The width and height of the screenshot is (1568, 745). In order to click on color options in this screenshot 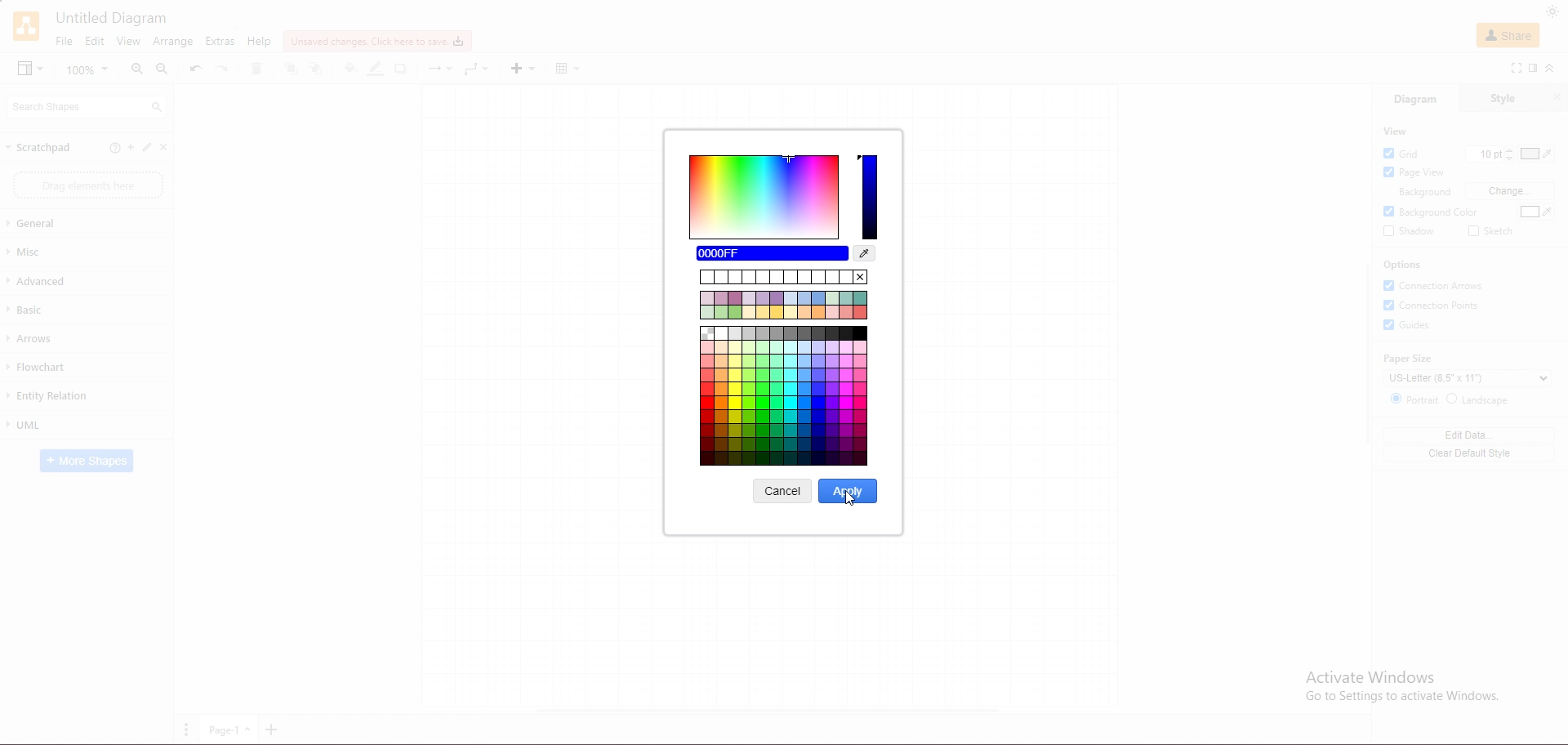, I will do `click(785, 305)`.